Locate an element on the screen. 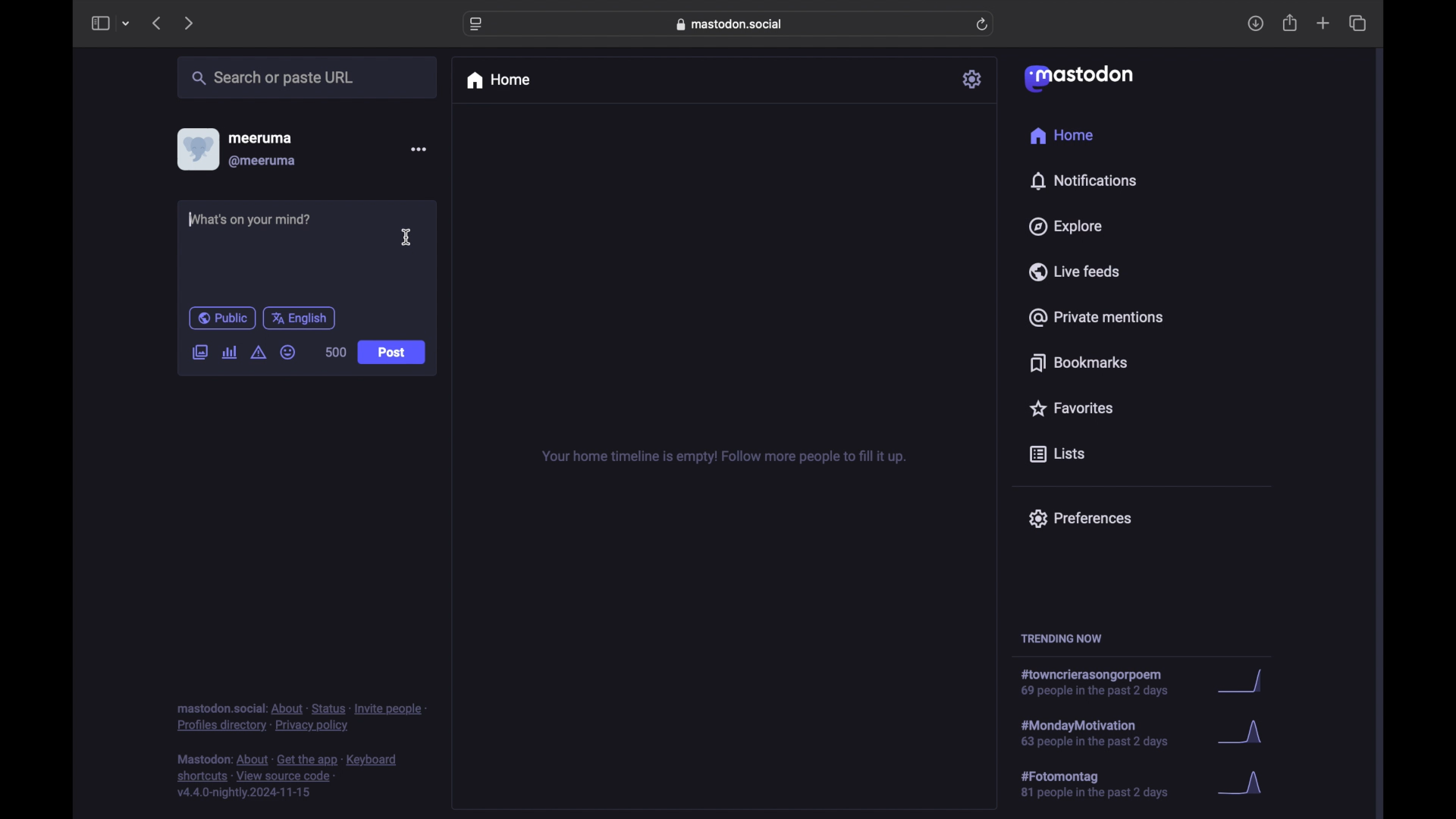 This screenshot has height=819, width=1456. graph is located at coordinates (1240, 734).